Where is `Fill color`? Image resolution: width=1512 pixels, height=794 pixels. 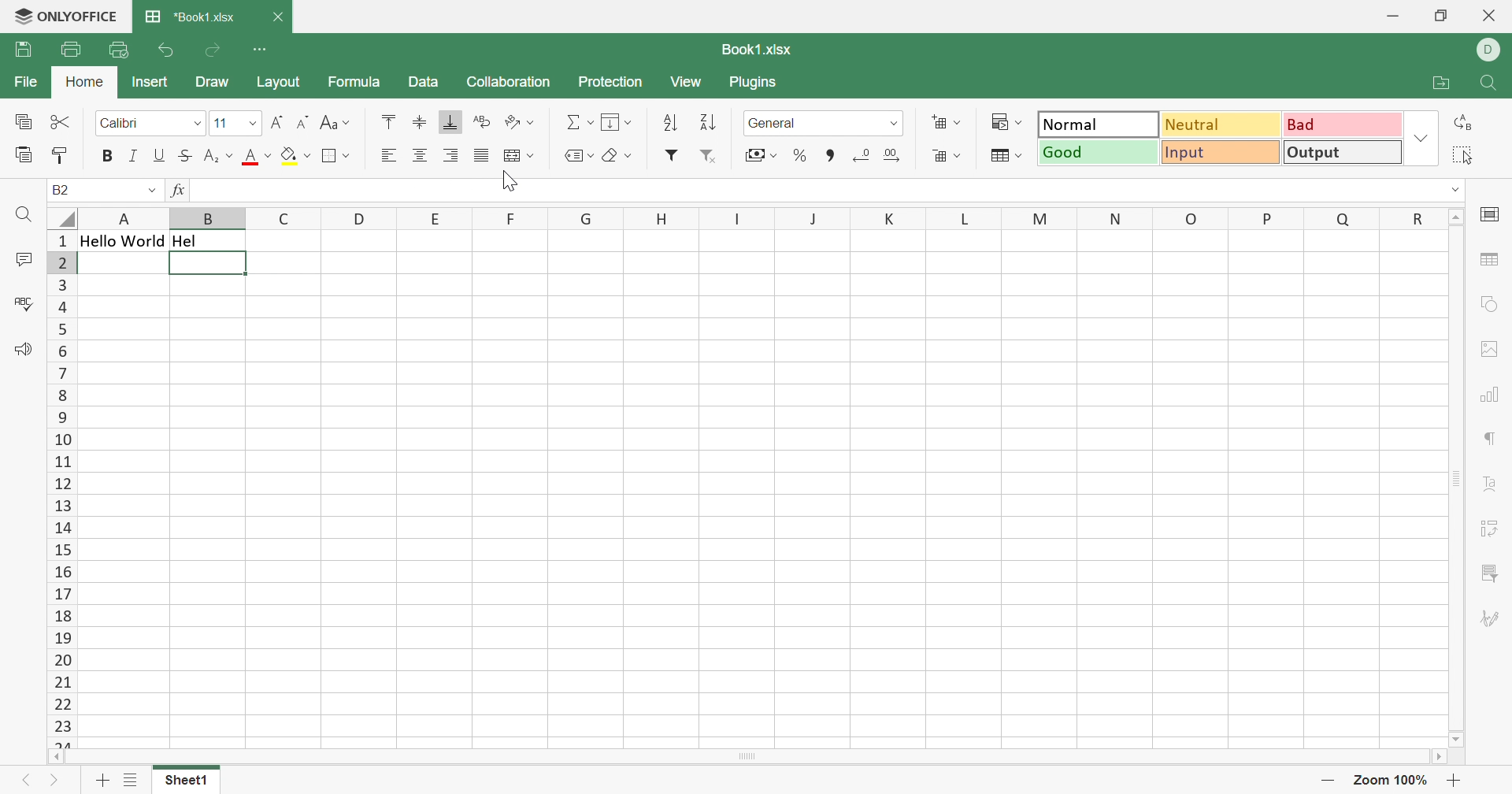
Fill color is located at coordinates (297, 156).